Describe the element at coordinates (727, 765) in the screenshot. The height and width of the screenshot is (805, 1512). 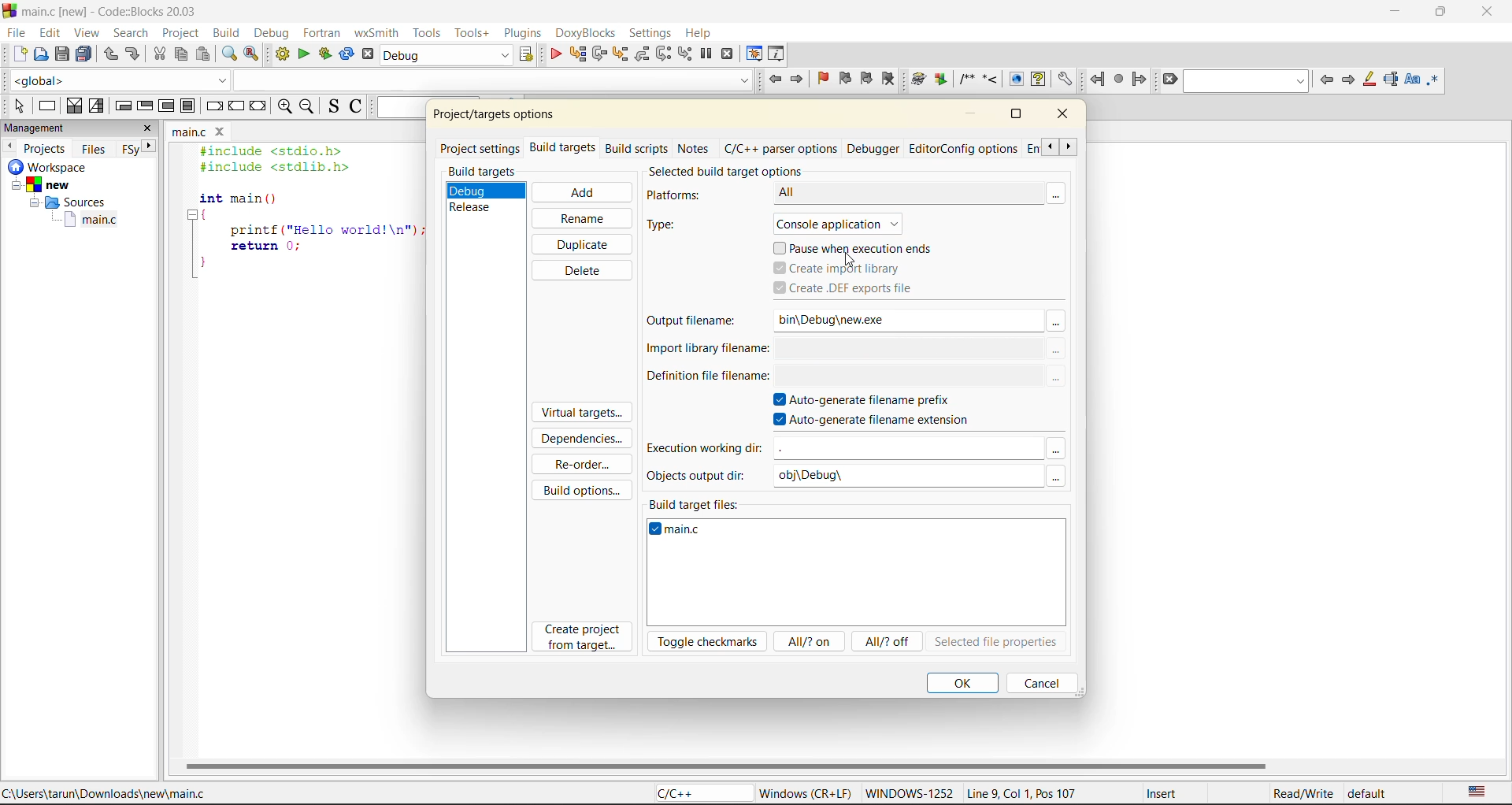
I see `horizontal scroll bar` at that location.